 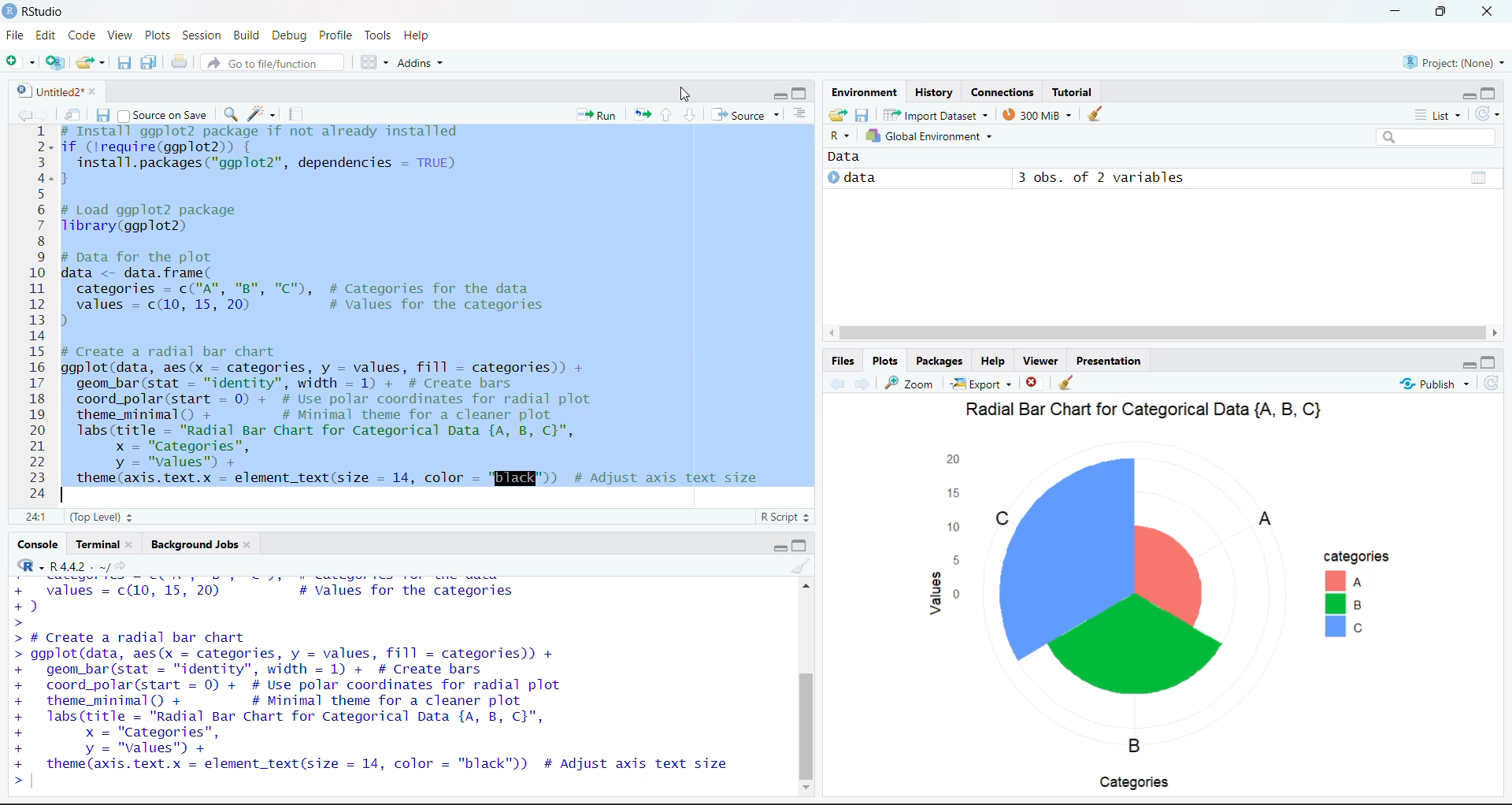 What do you see at coordinates (934, 93) in the screenshot?
I see `History` at bounding box center [934, 93].